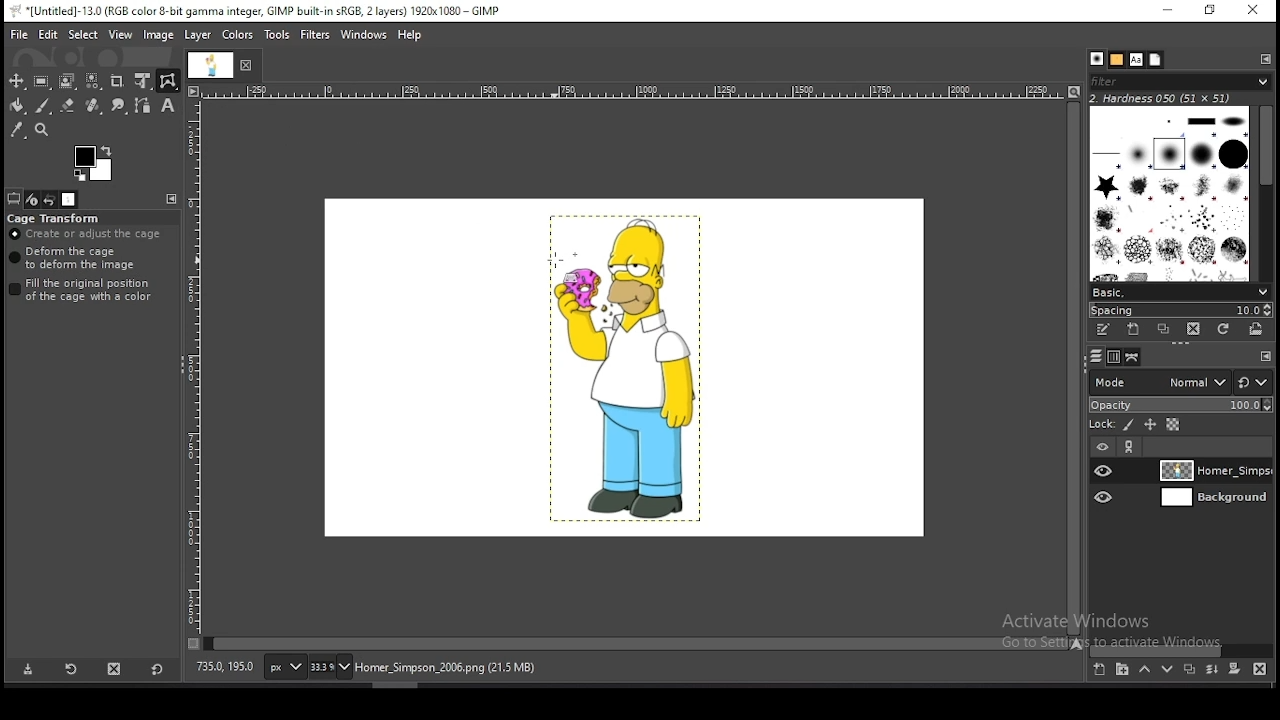  Describe the element at coordinates (1257, 669) in the screenshot. I see `delete layer` at that location.